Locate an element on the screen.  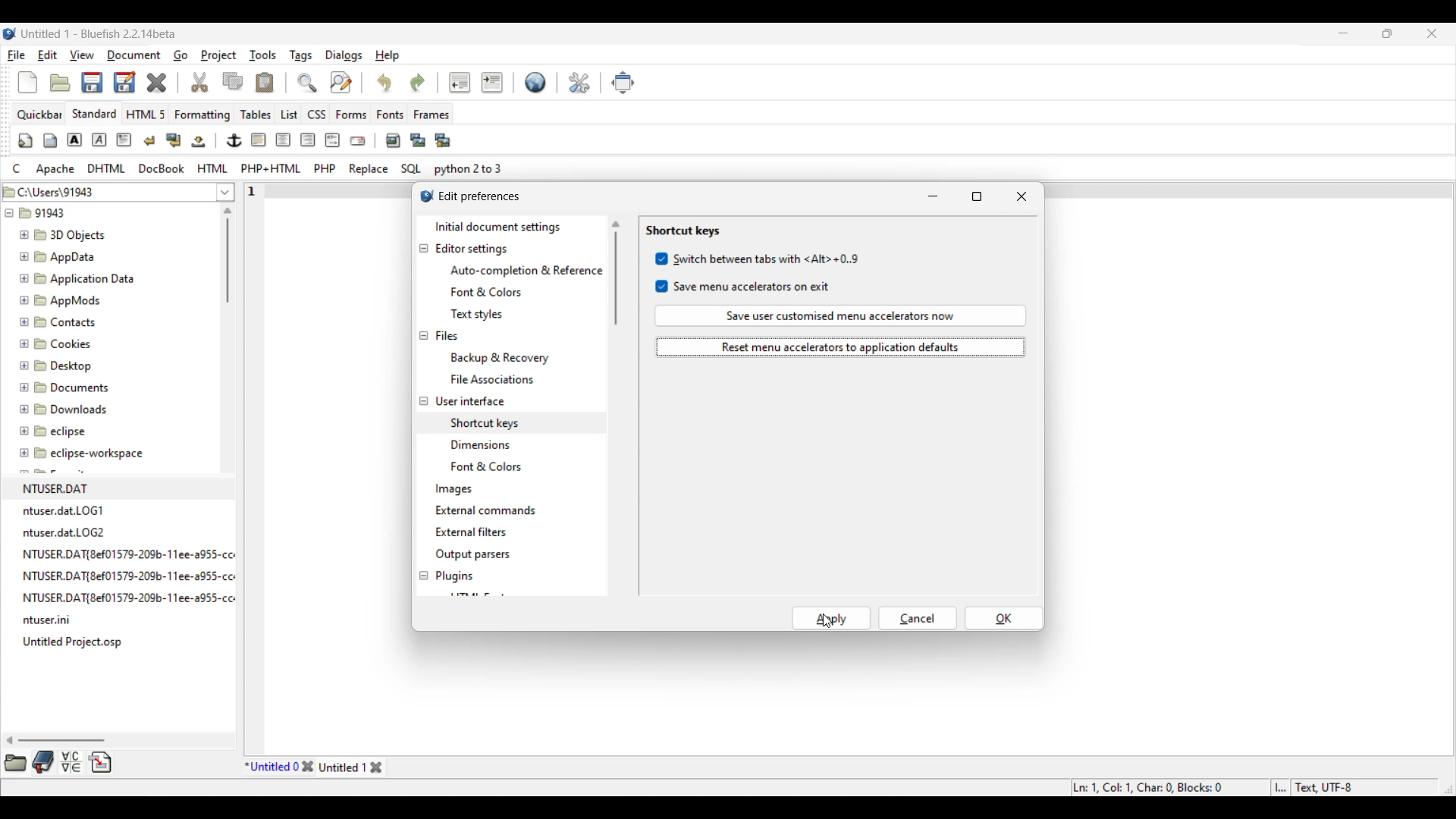
File Associations is located at coordinates (491, 379).